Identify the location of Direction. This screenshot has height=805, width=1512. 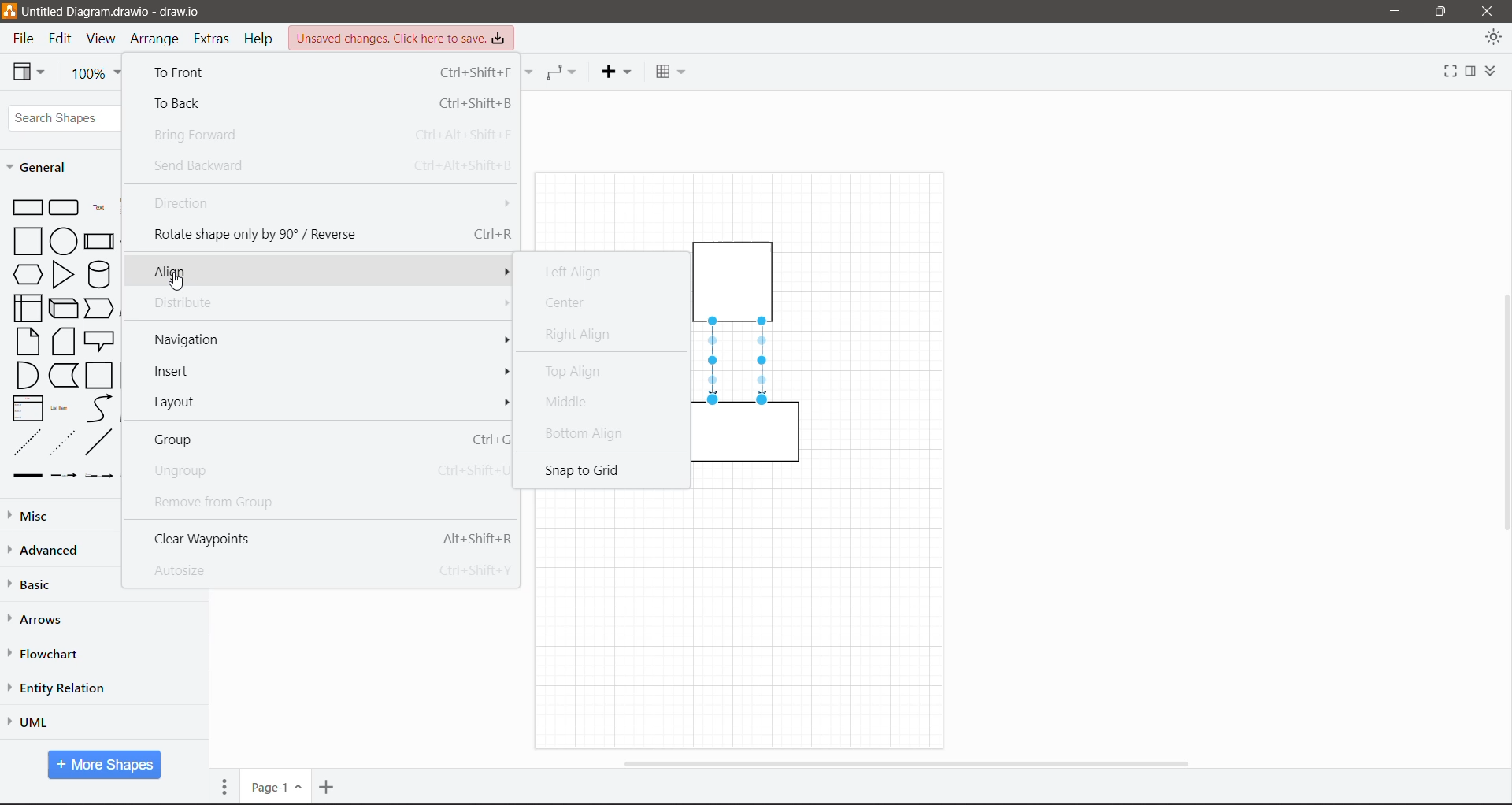
(328, 203).